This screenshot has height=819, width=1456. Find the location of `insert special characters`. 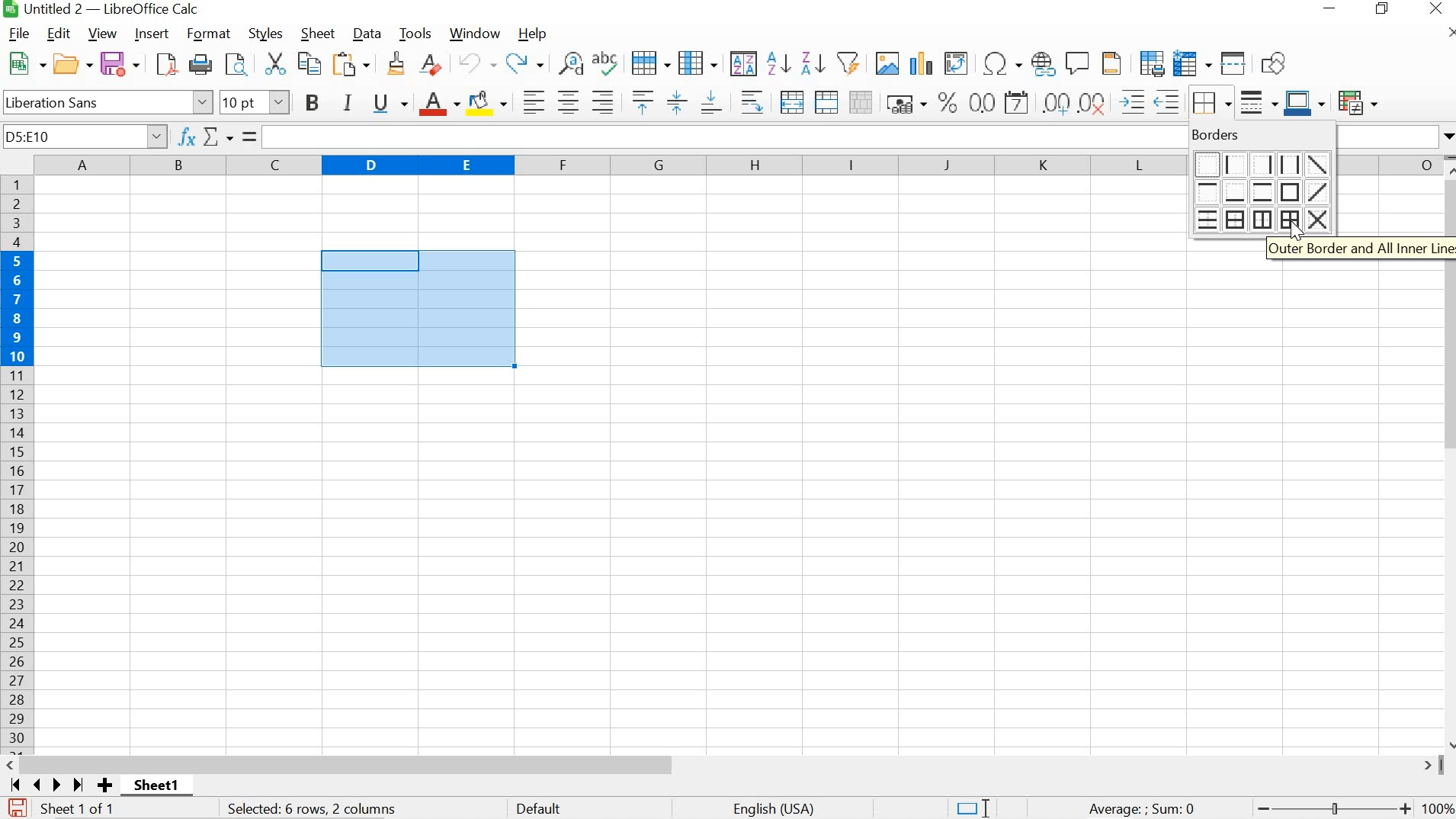

insert special characters is located at coordinates (1003, 62).